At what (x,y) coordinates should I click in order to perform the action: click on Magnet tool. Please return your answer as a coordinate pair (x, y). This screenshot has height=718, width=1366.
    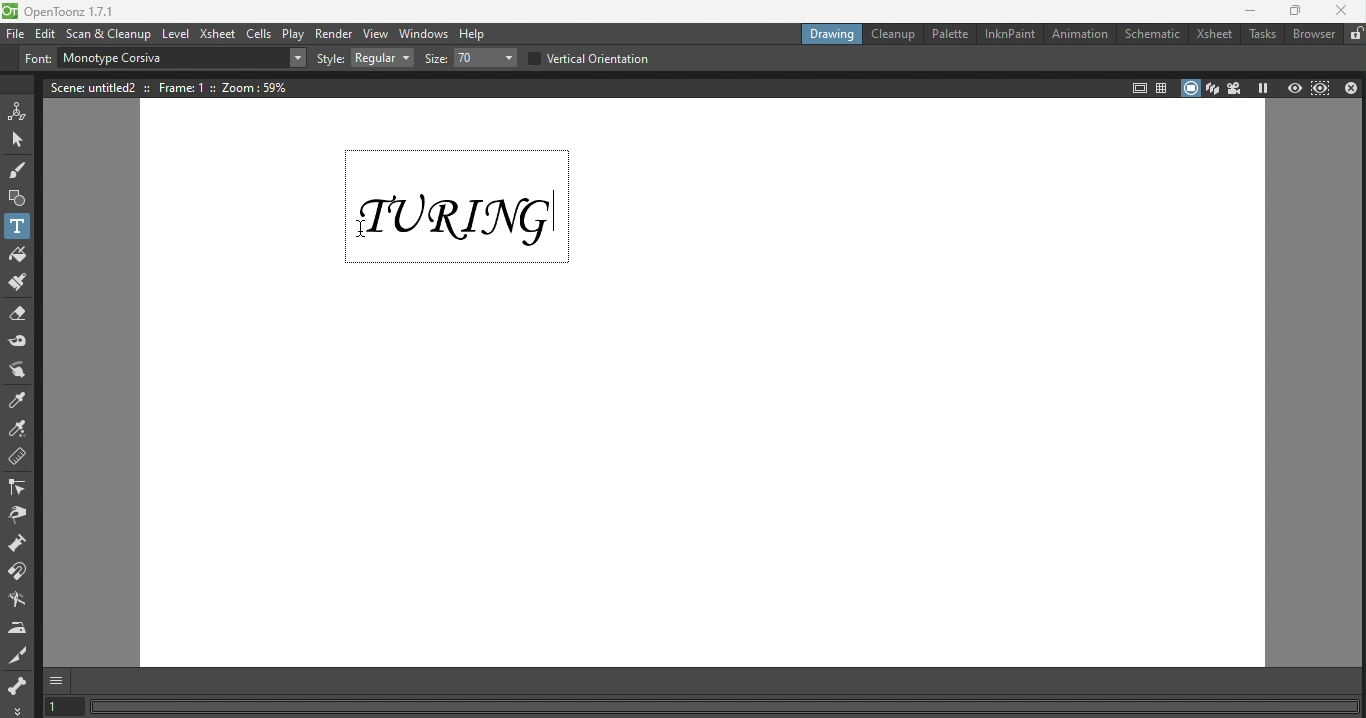
    Looking at the image, I should click on (20, 574).